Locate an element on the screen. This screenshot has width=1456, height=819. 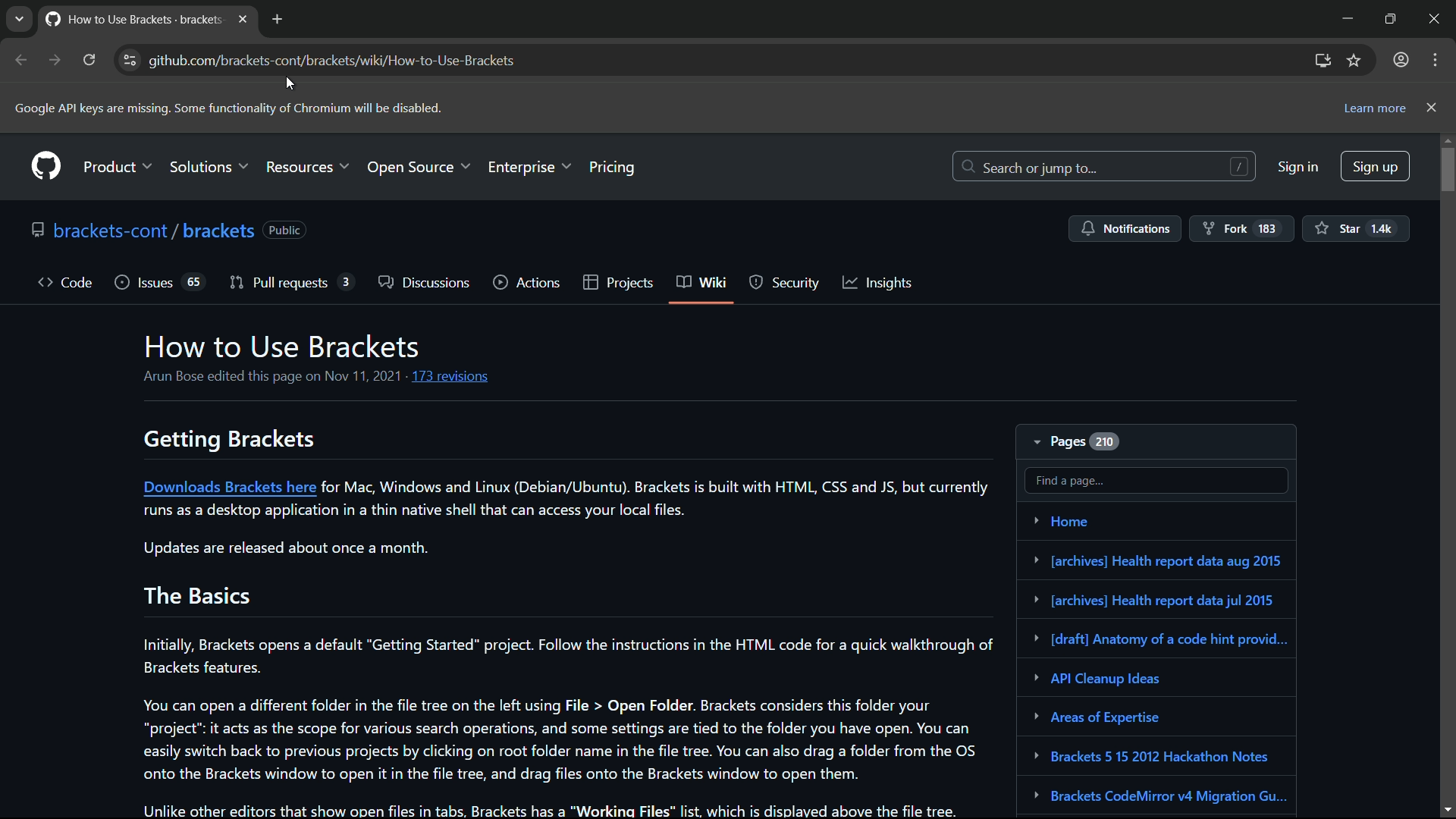
Areas of Expertise is located at coordinates (1094, 717).